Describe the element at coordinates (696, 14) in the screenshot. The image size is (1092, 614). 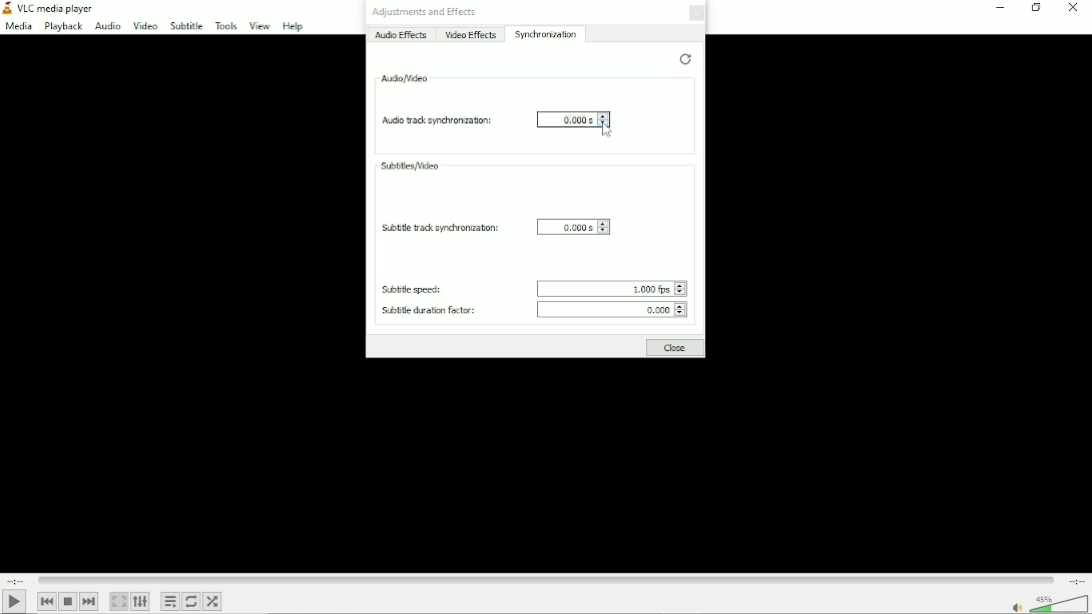
I see `Close` at that location.